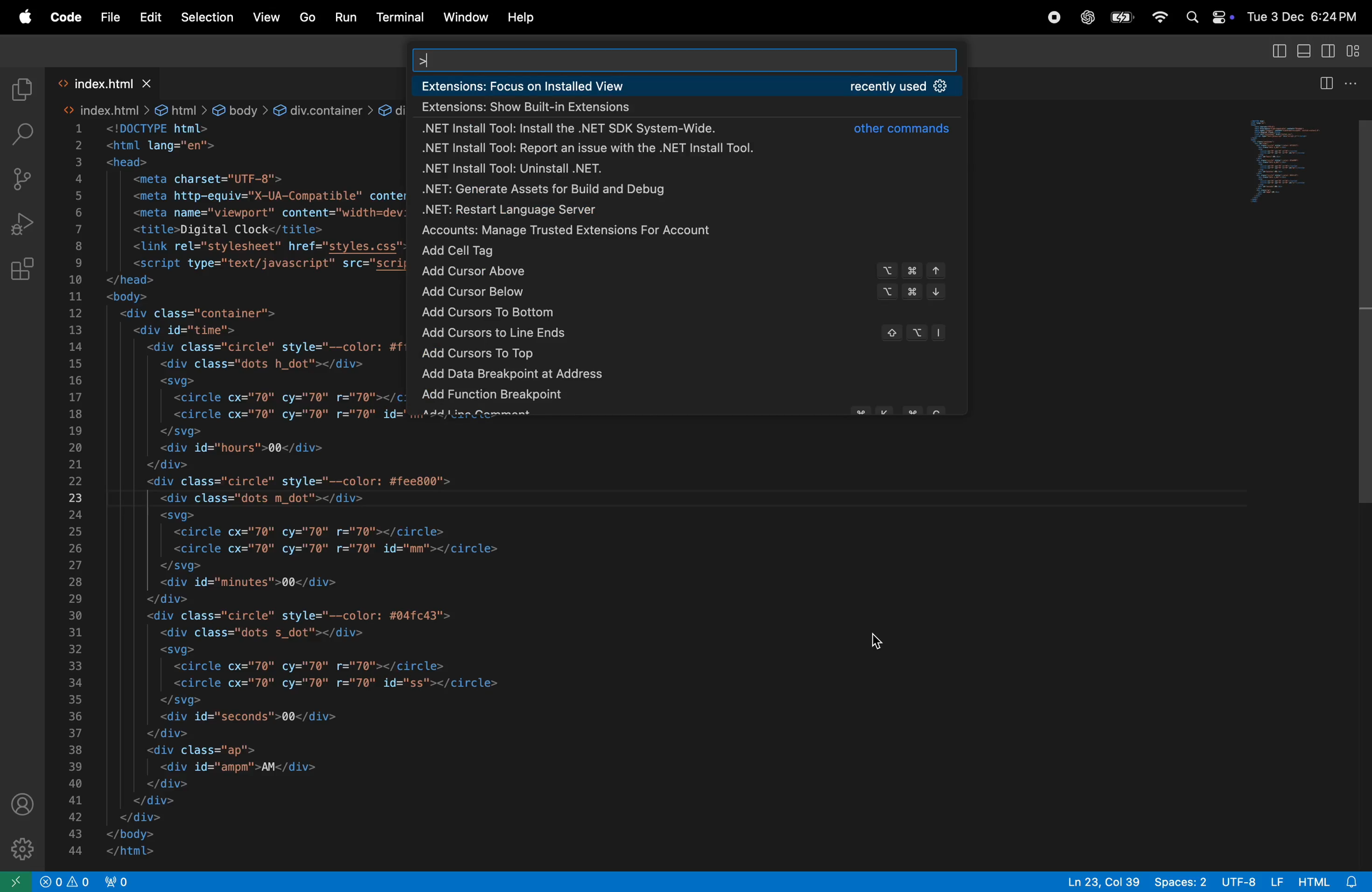  What do you see at coordinates (1053, 18) in the screenshot?
I see `record` at bounding box center [1053, 18].